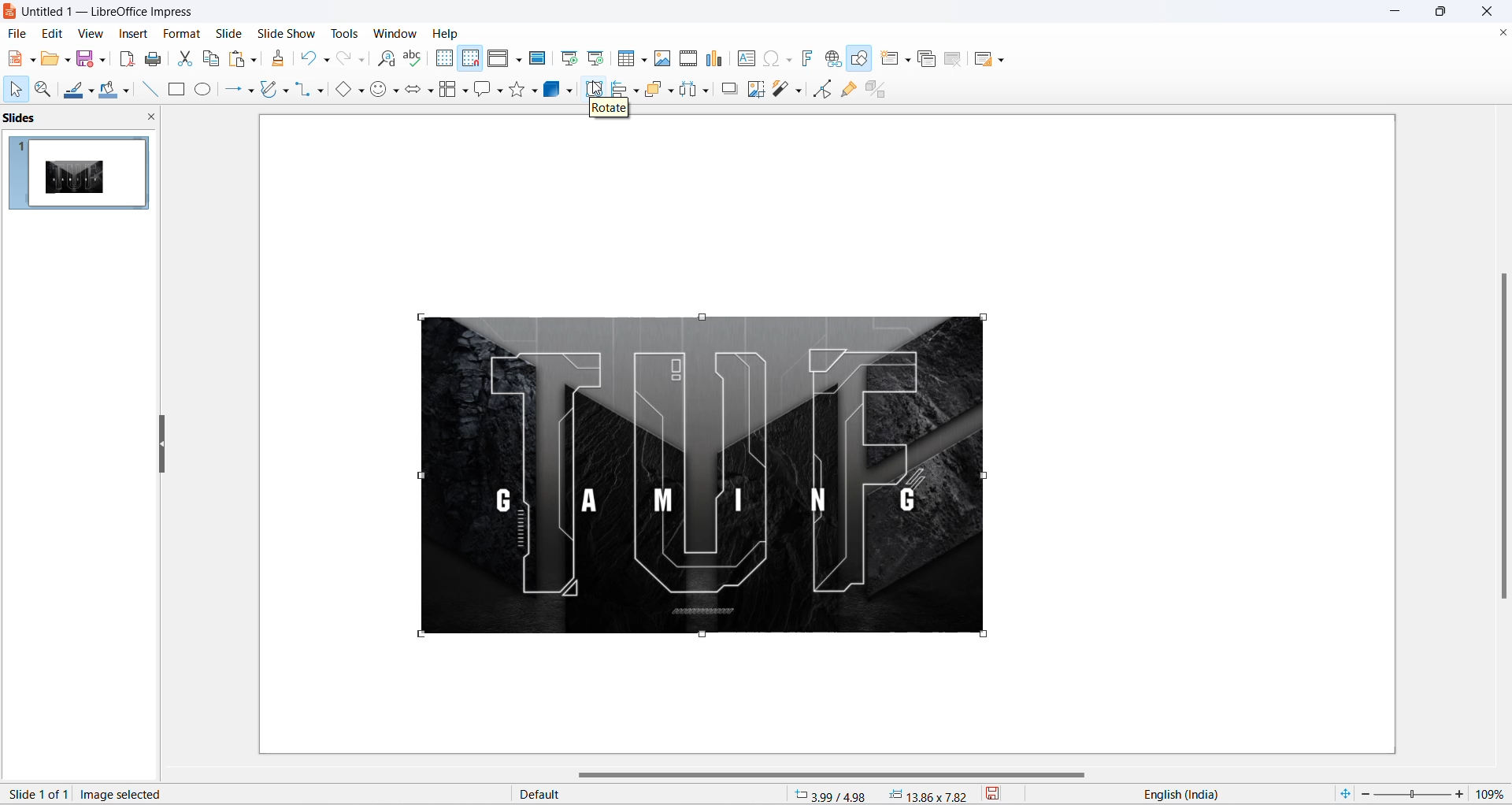 This screenshot has width=1512, height=805. What do you see at coordinates (781, 90) in the screenshot?
I see `filter` at bounding box center [781, 90].